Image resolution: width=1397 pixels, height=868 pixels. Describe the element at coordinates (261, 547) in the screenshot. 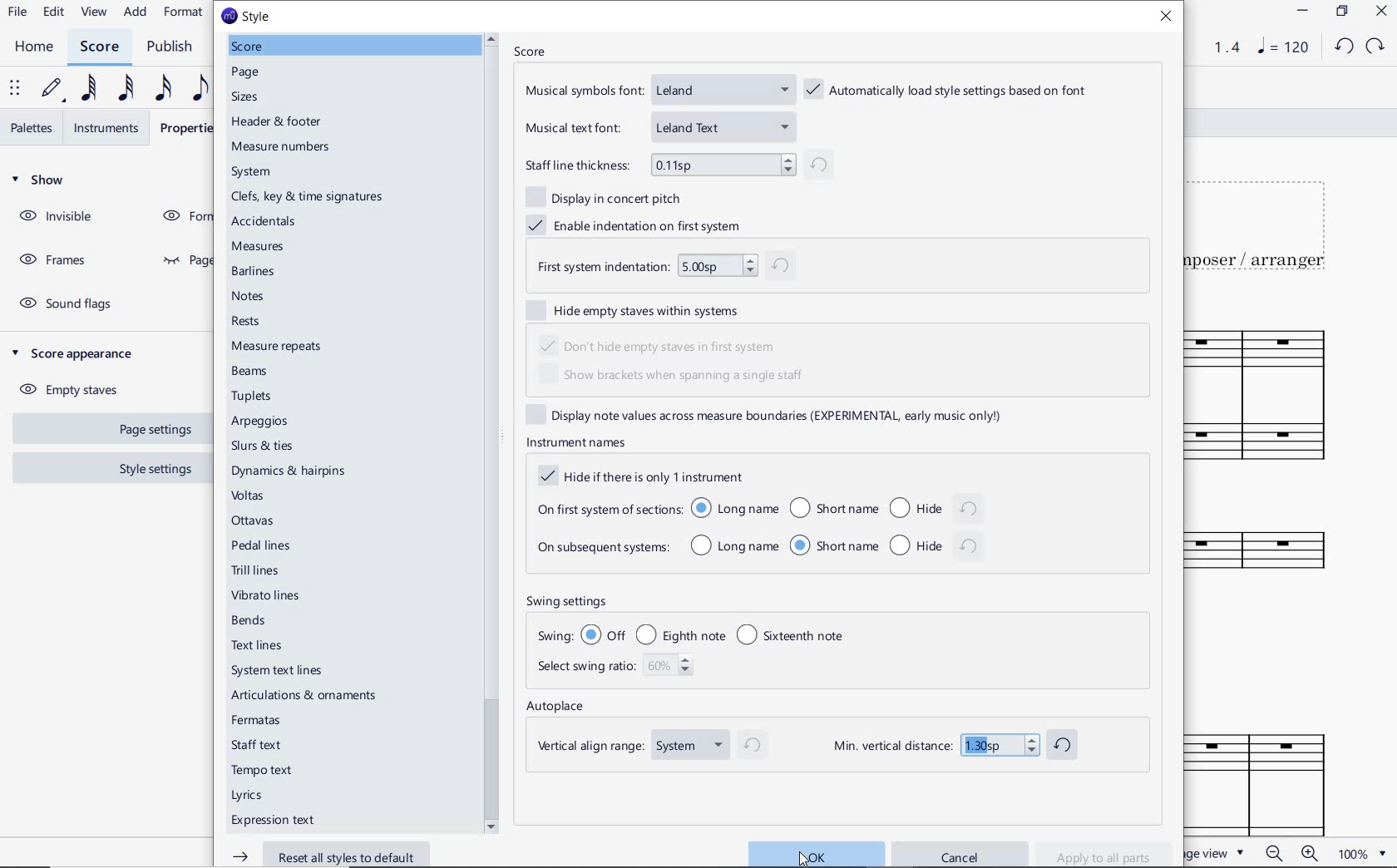

I see `pedal lines` at that location.